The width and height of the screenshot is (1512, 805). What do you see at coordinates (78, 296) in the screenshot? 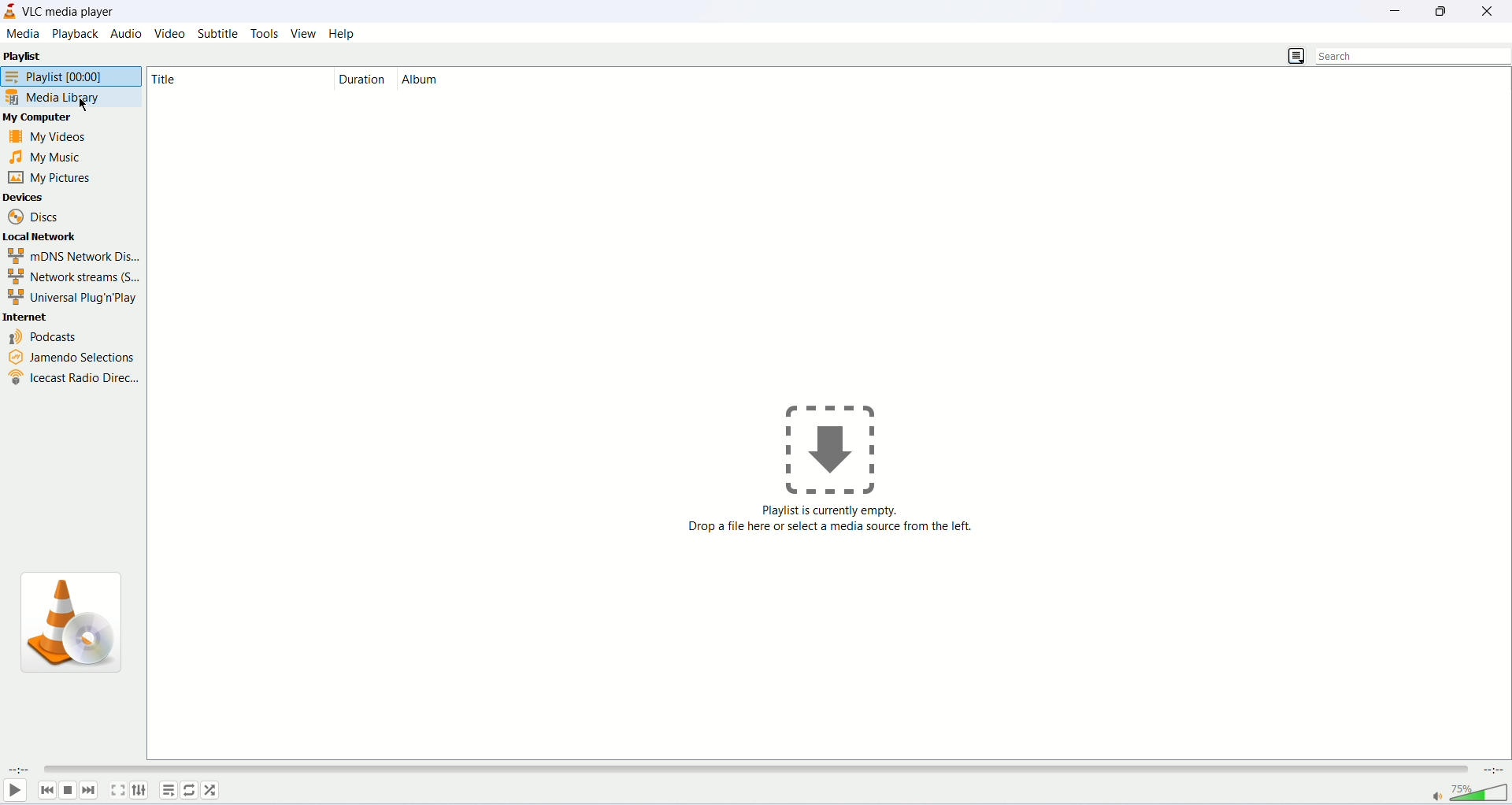
I see `universal plug'n play` at bounding box center [78, 296].